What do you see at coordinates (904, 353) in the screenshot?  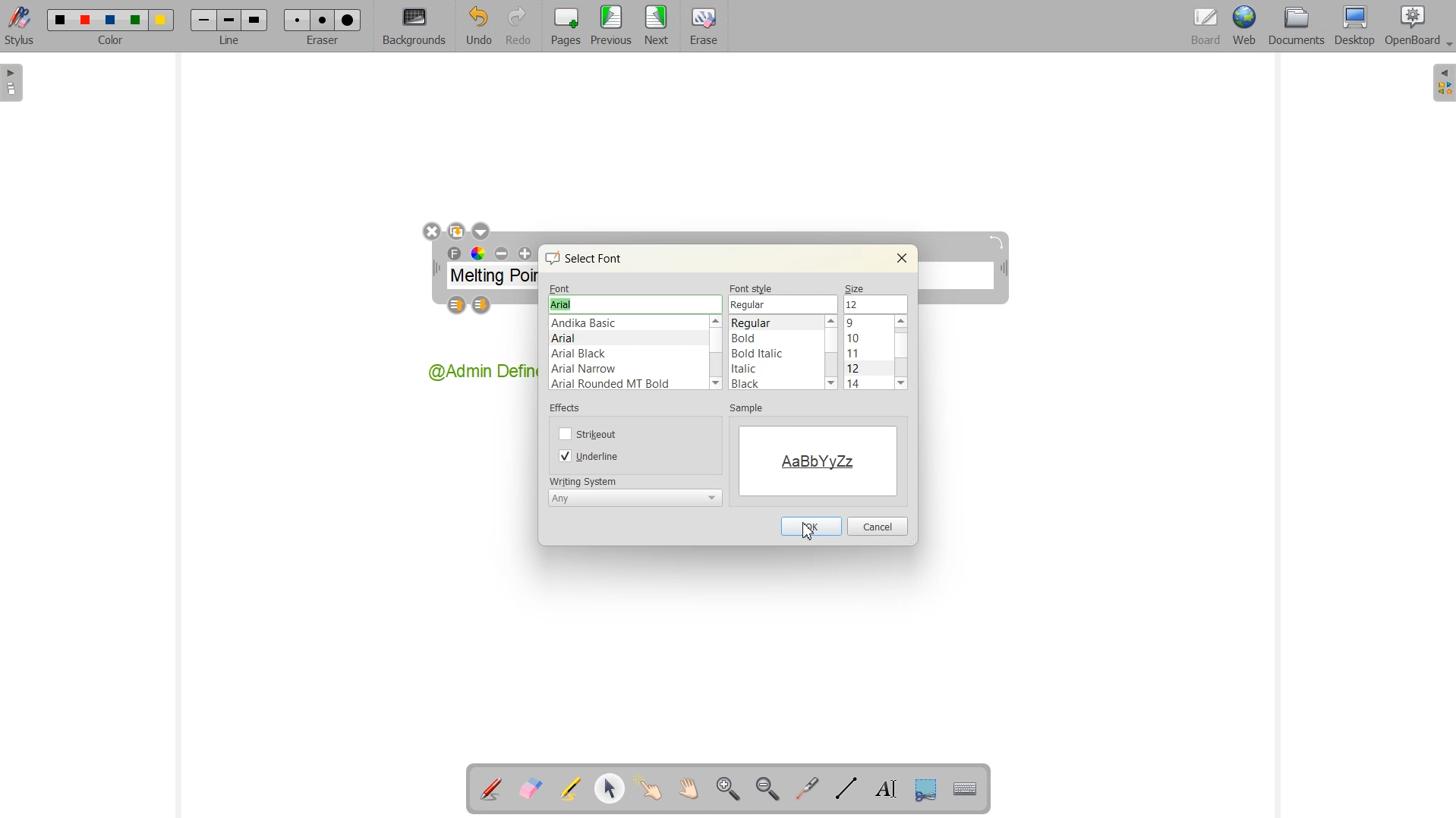 I see `Vertical srollbar` at bounding box center [904, 353].